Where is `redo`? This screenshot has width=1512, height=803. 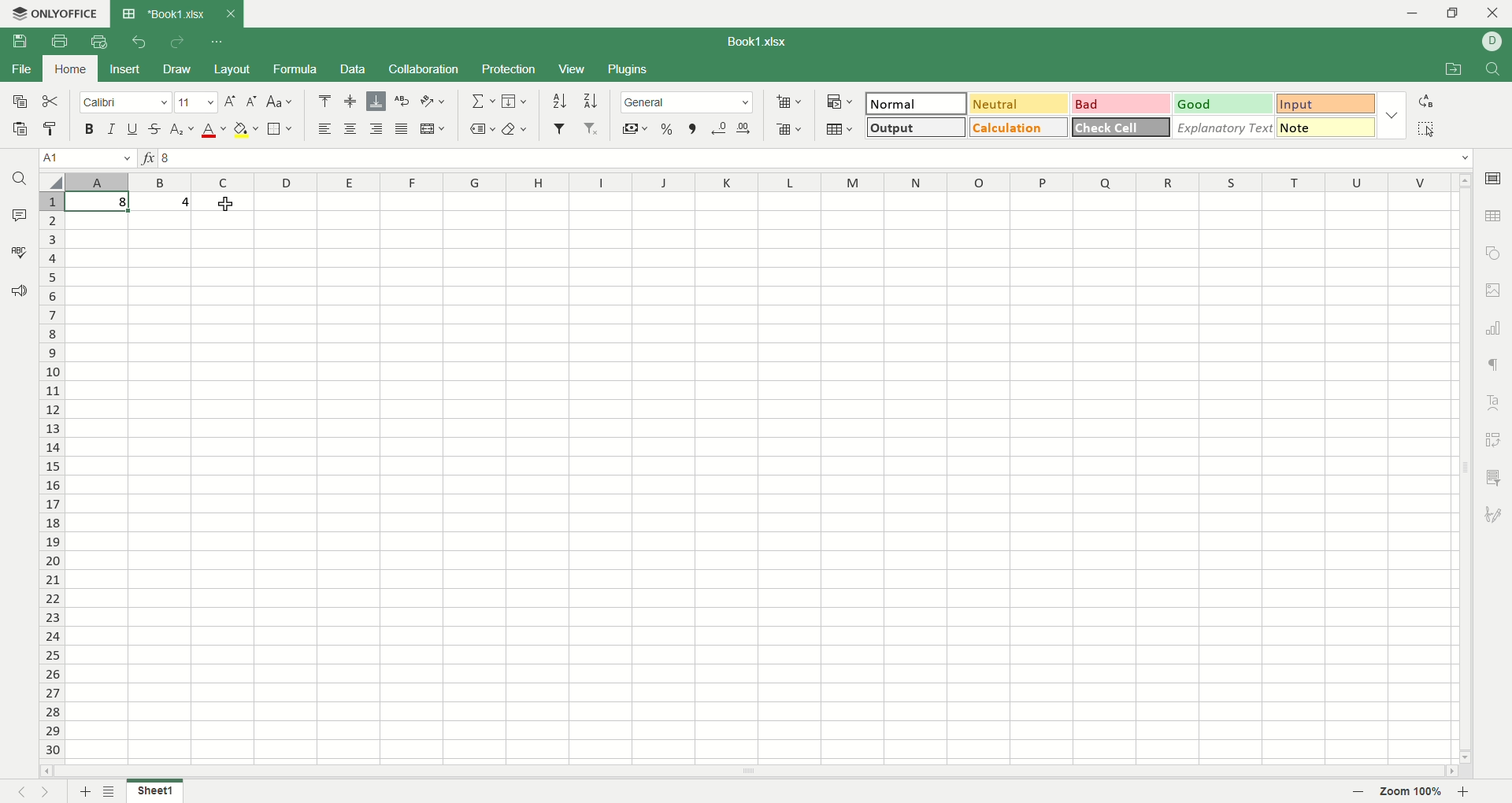 redo is located at coordinates (176, 41).